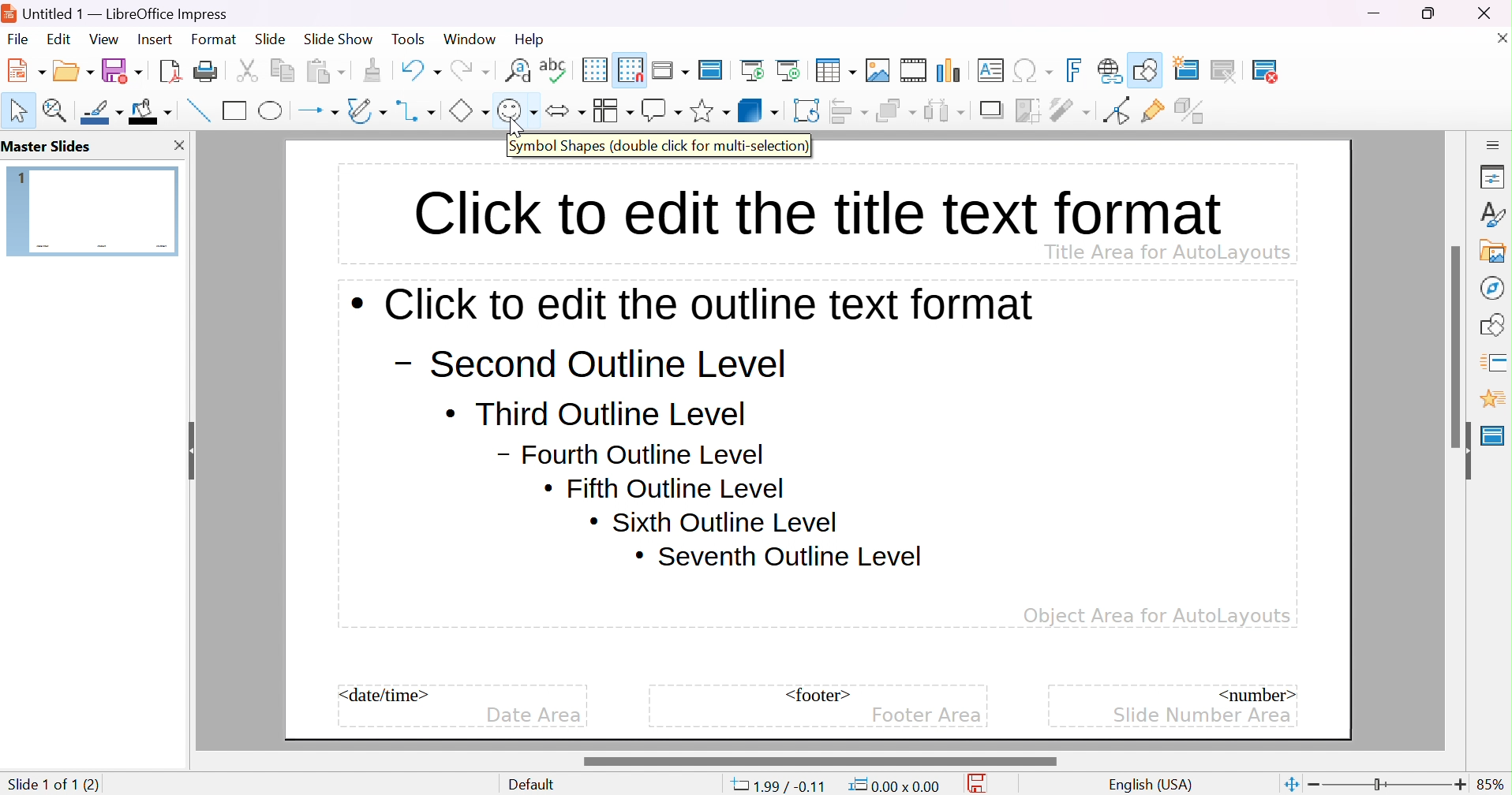 This screenshot has height=795, width=1512. What do you see at coordinates (878, 70) in the screenshot?
I see `insert image` at bounding box center [878, 70].